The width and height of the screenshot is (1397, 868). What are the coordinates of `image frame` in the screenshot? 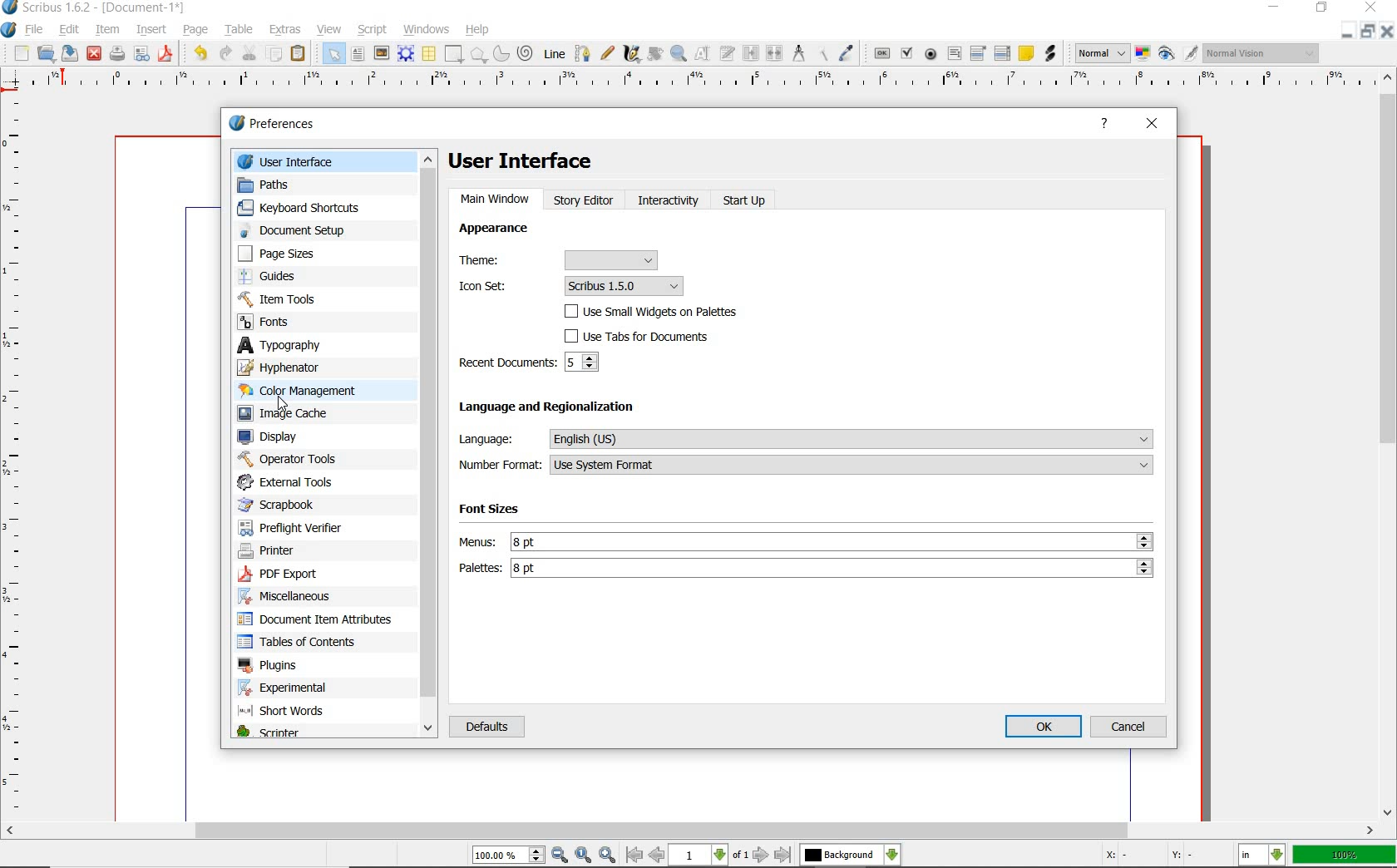 It's located at (380, 52).